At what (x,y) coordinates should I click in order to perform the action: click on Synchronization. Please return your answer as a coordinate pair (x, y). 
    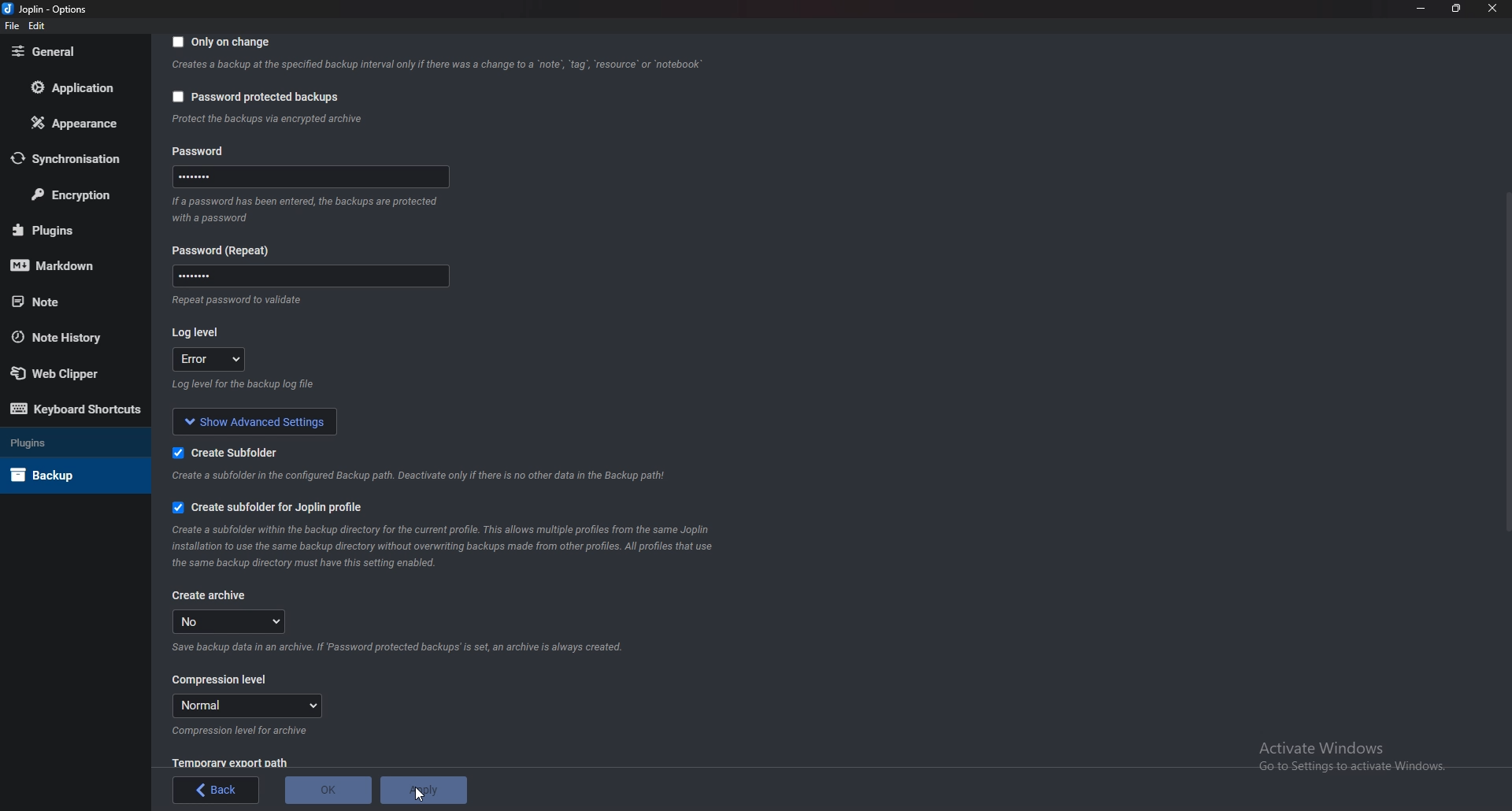
    Looking at the image, I should click on (71, 157).